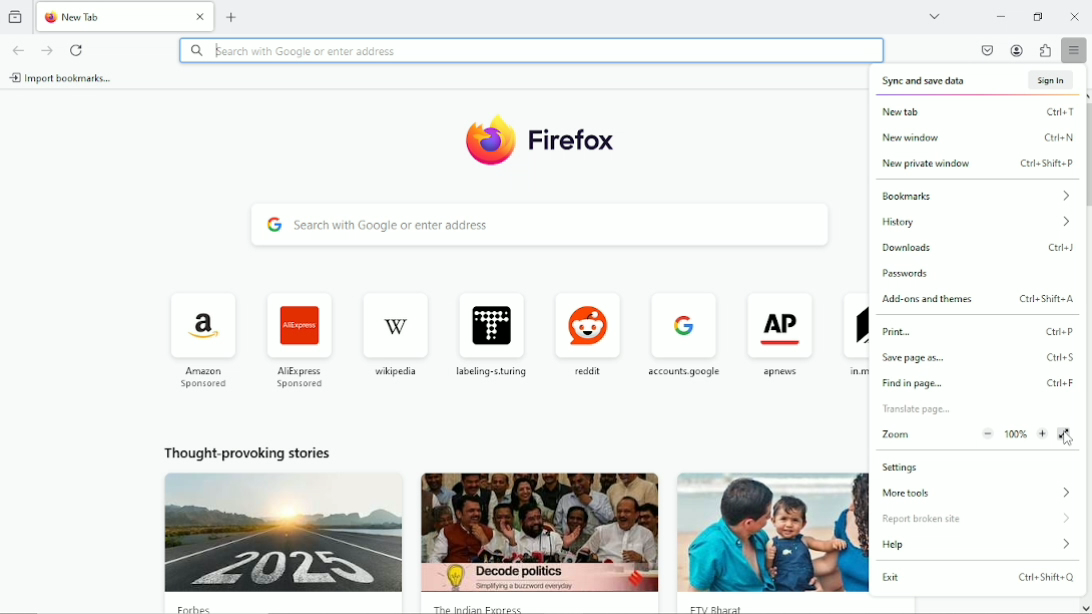 The width and height of the screenshot is (1092, 614). What do you see at coordinates (980, 493) in the screenshot?
I see `more tools` at bounding box center [980, 493].